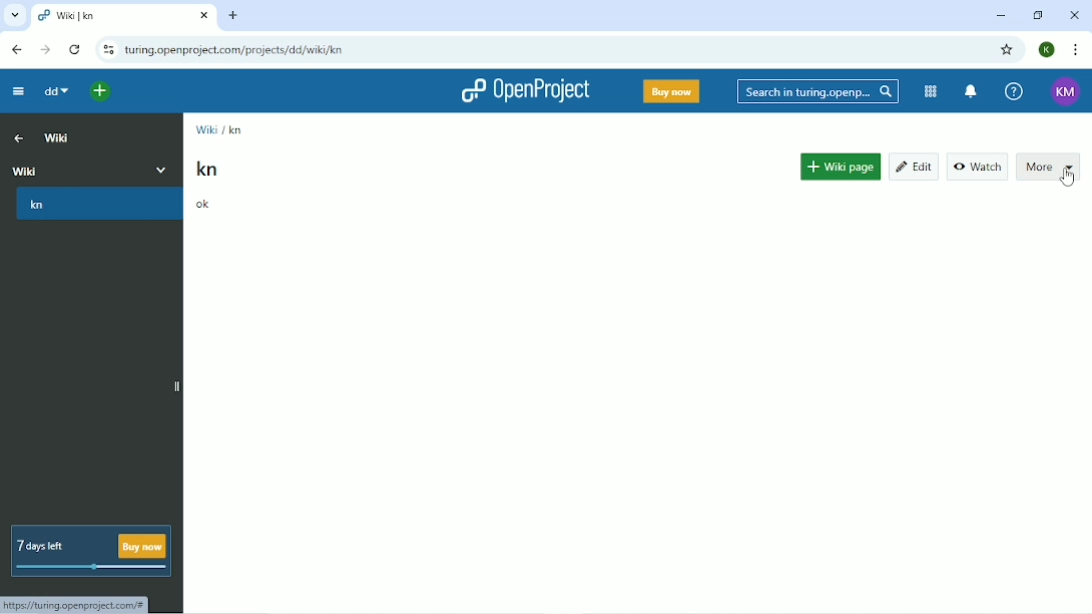 The width and height of the screenshot is (1092, 614). What do you see at coordinates (915, 161) in the screenshot?
I see `Edit` at bounding box center [915, 161].